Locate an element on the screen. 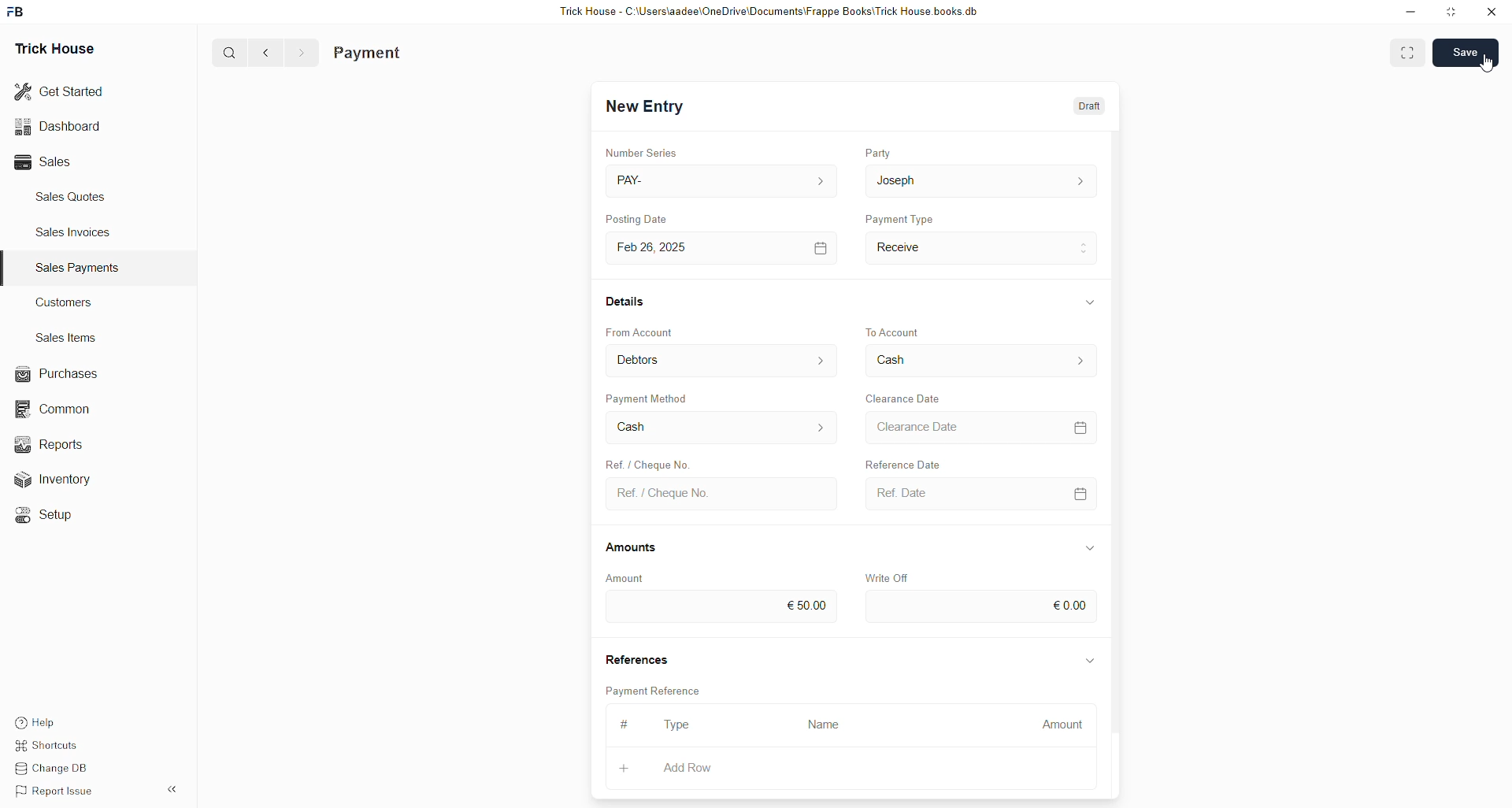 This screenshot has width=1512, height=808. Write Off is located at coordinates (885, 578).